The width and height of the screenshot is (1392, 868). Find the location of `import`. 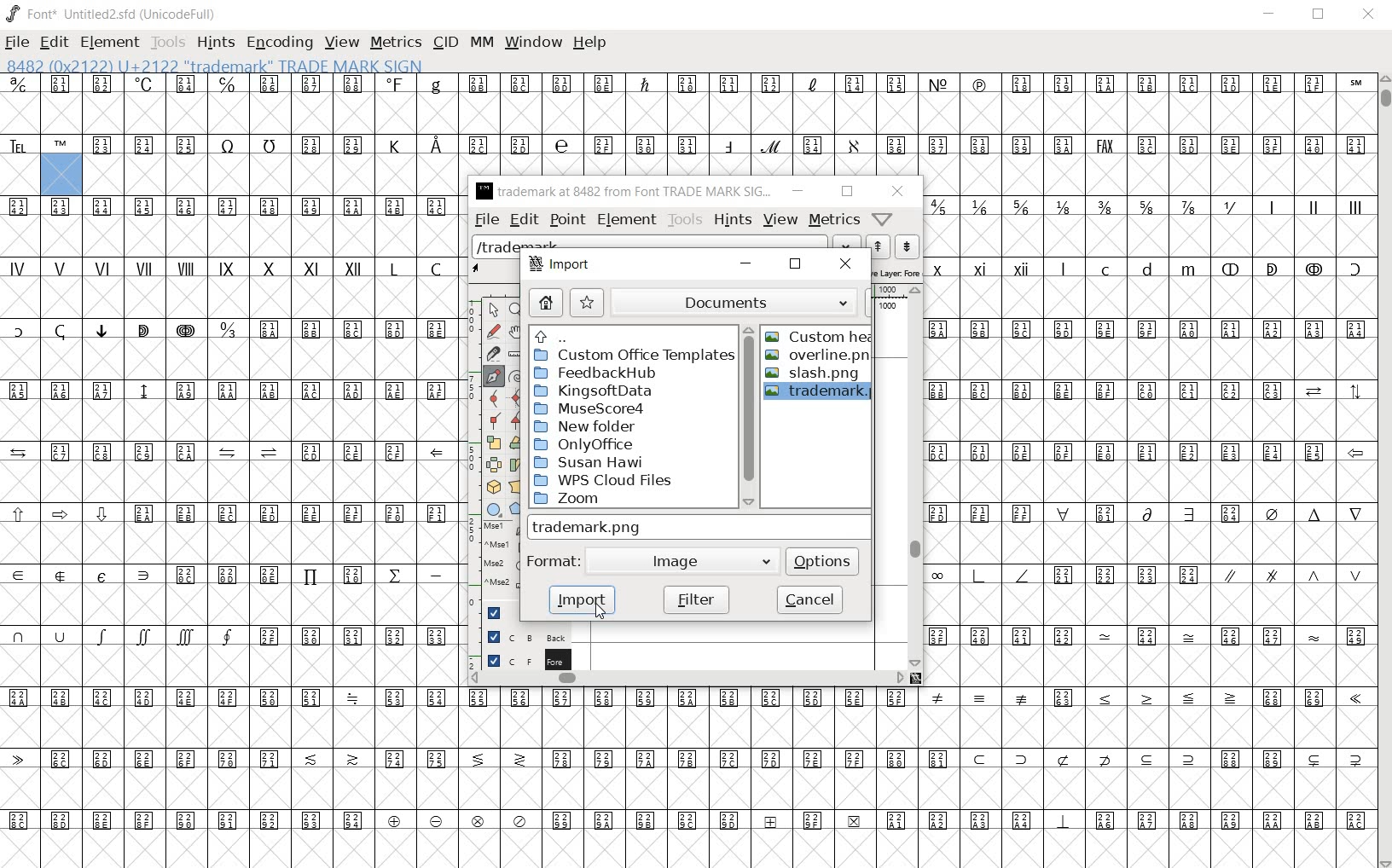

import is located at coordinates (581, 599).